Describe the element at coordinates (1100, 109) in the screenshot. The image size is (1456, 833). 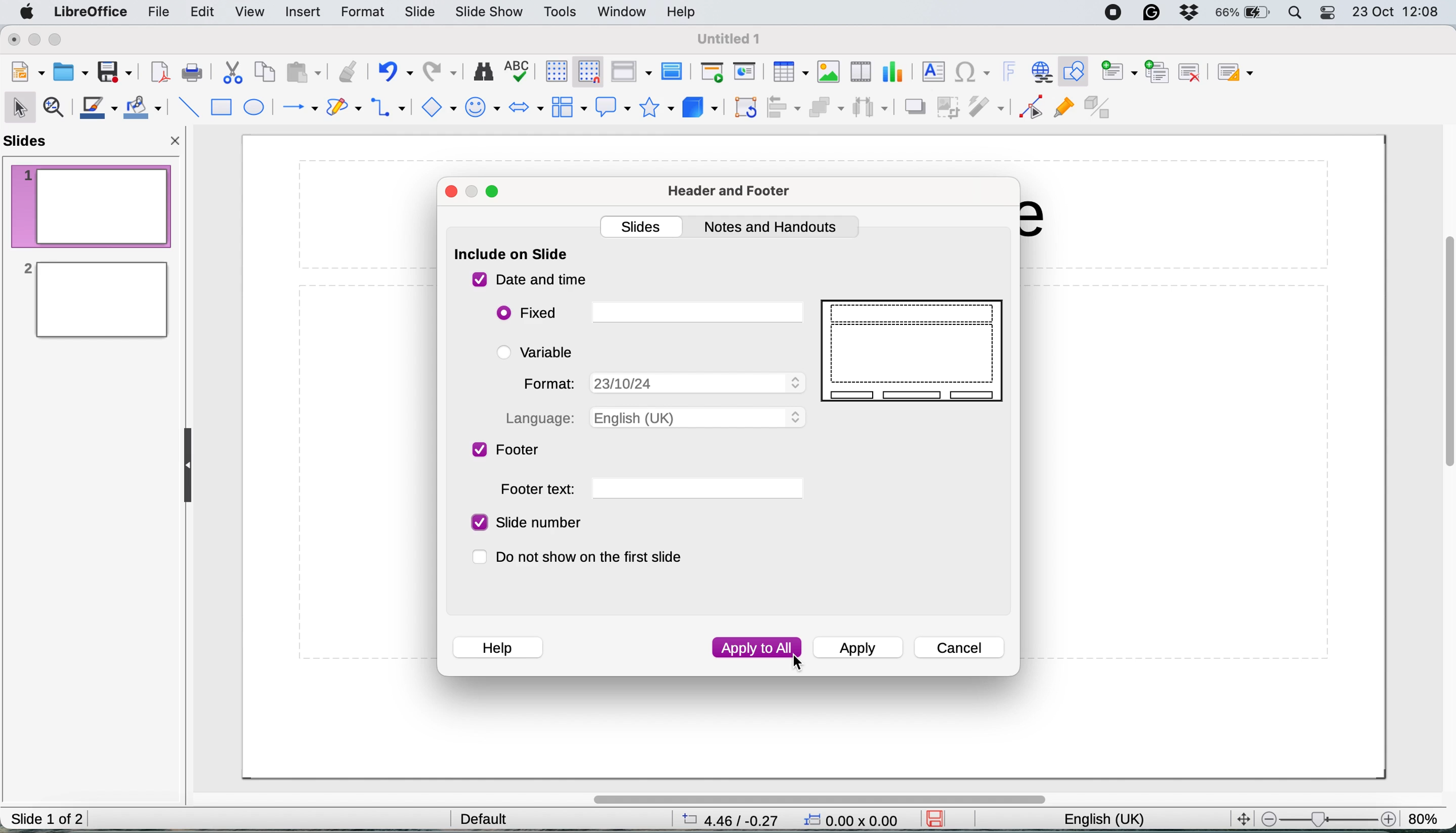
I see `toggle extrusion` at that location.